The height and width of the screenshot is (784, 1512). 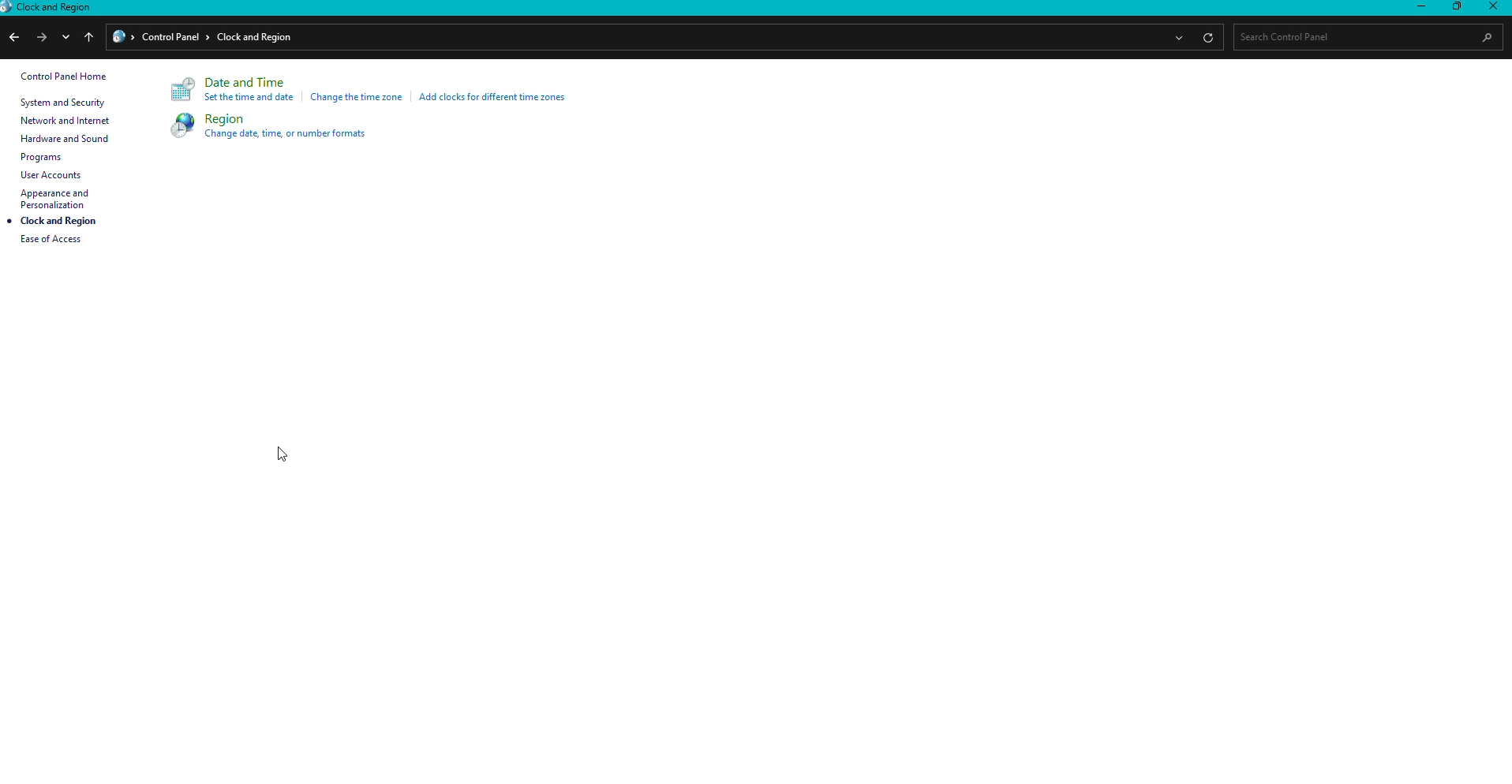 I want to click on Programs, so click(x=43, y=158).